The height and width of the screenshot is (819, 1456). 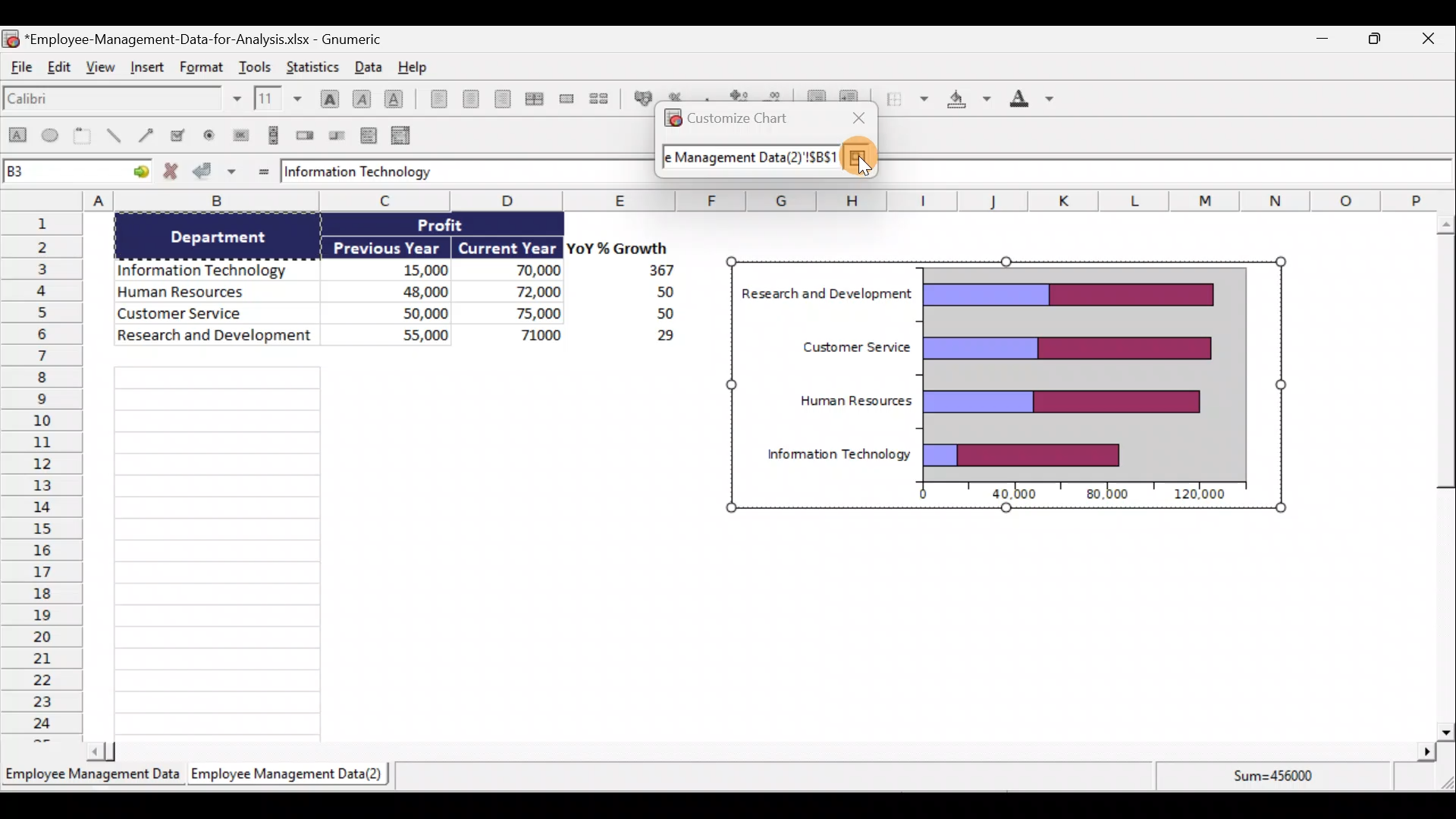 What do you see at coordinates (916, 496) in the screenshot?
I see `0` at bounding box center [916, 496].